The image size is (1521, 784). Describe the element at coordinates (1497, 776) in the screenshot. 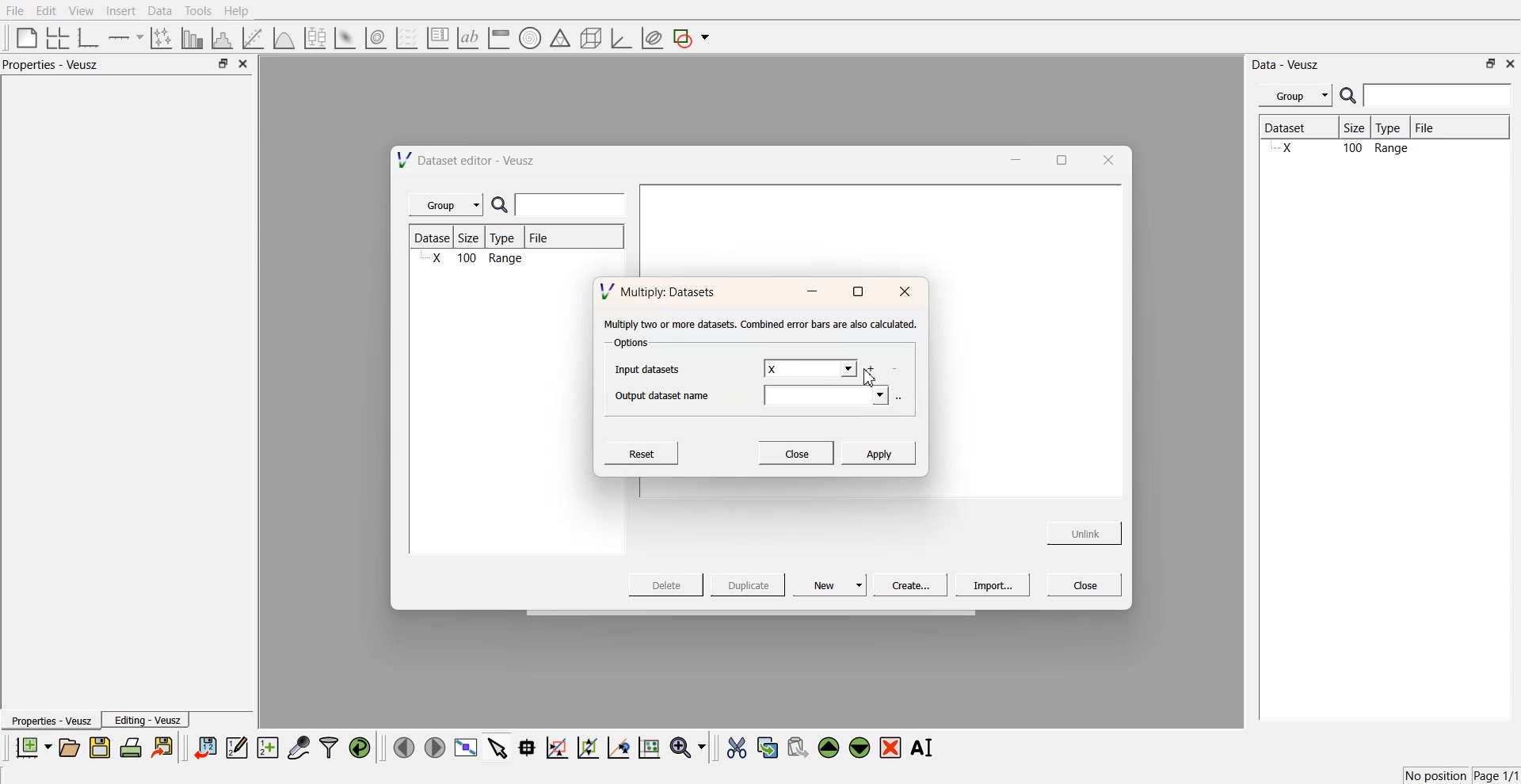

I see `Page 1/1` at that location.